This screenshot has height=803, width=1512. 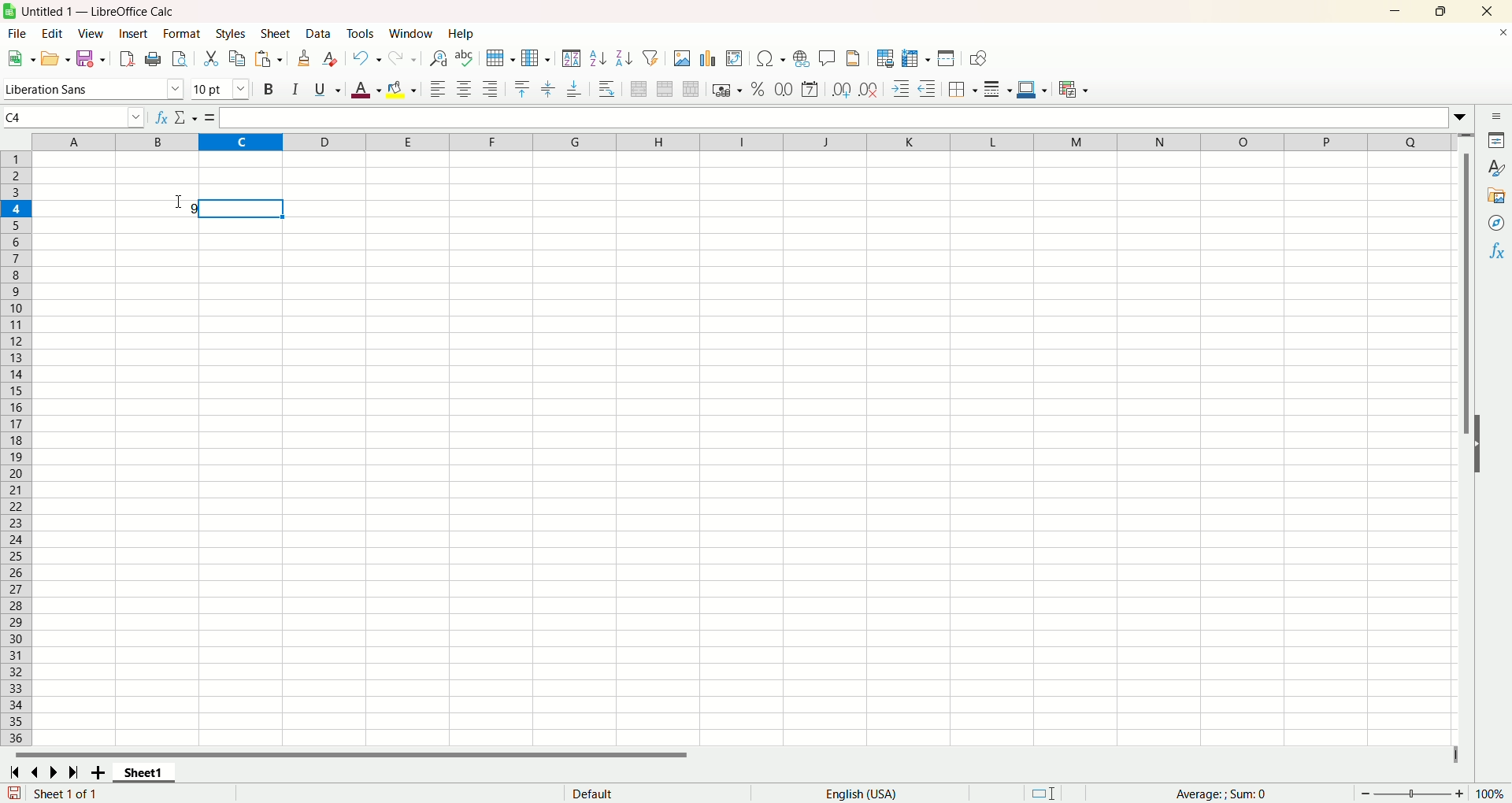 I want to click on format as date, so click(x=813, y=89).